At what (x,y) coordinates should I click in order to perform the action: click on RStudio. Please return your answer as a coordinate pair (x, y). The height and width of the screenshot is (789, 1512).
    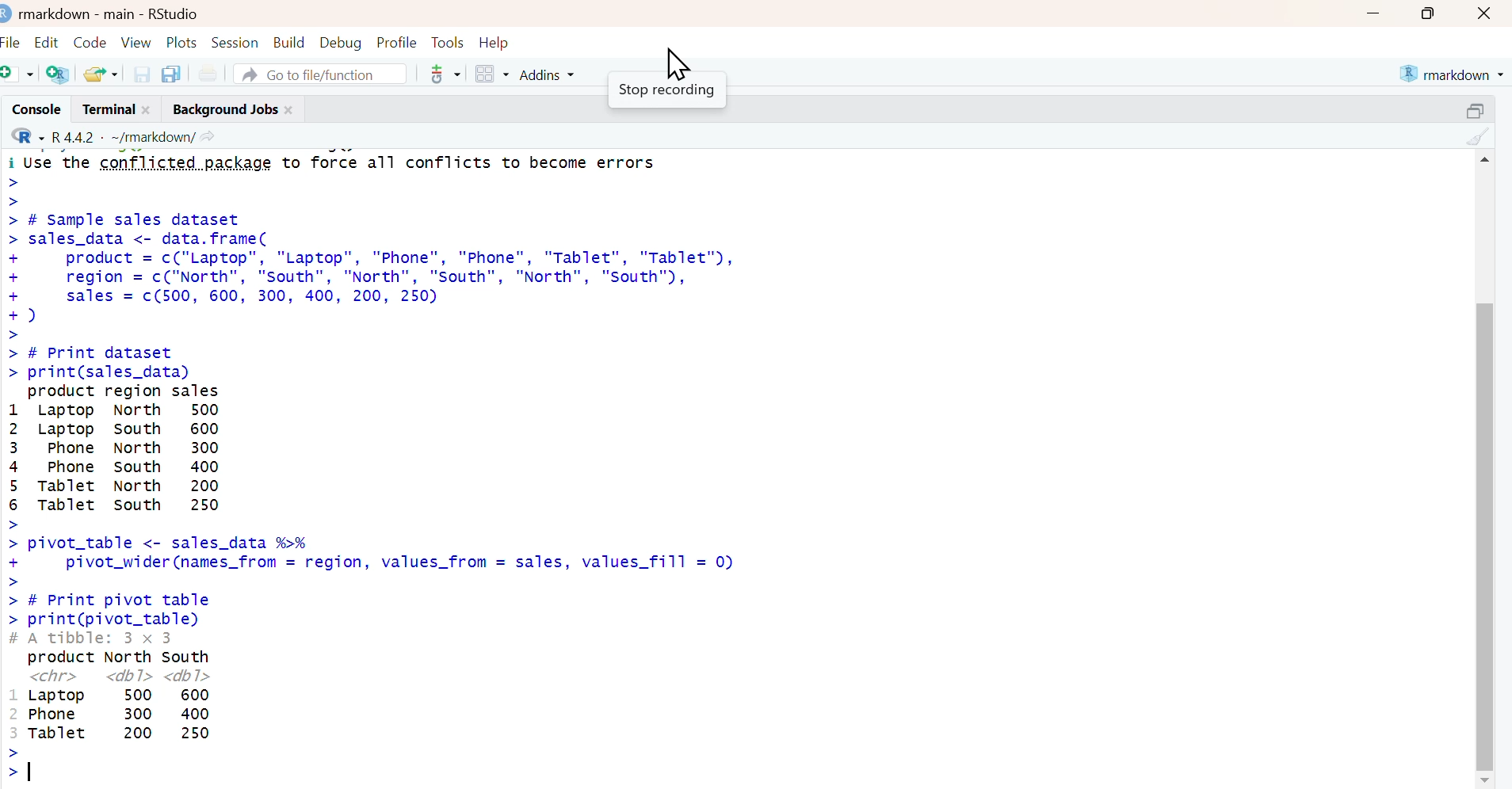
    Looking at the image, I should click on (174, 12).